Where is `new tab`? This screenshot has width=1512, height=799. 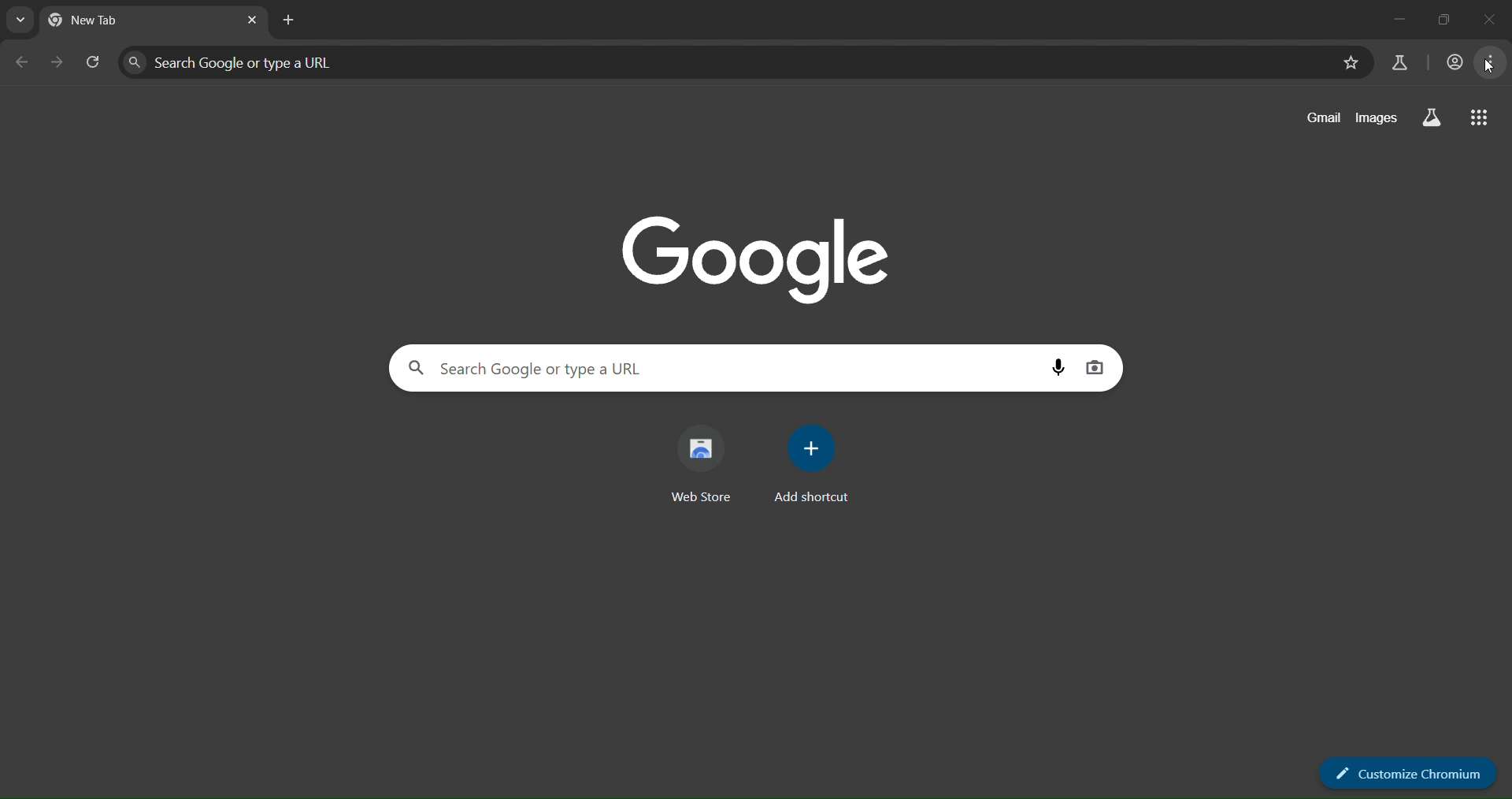
new tab is located at coordinates (287, 20).